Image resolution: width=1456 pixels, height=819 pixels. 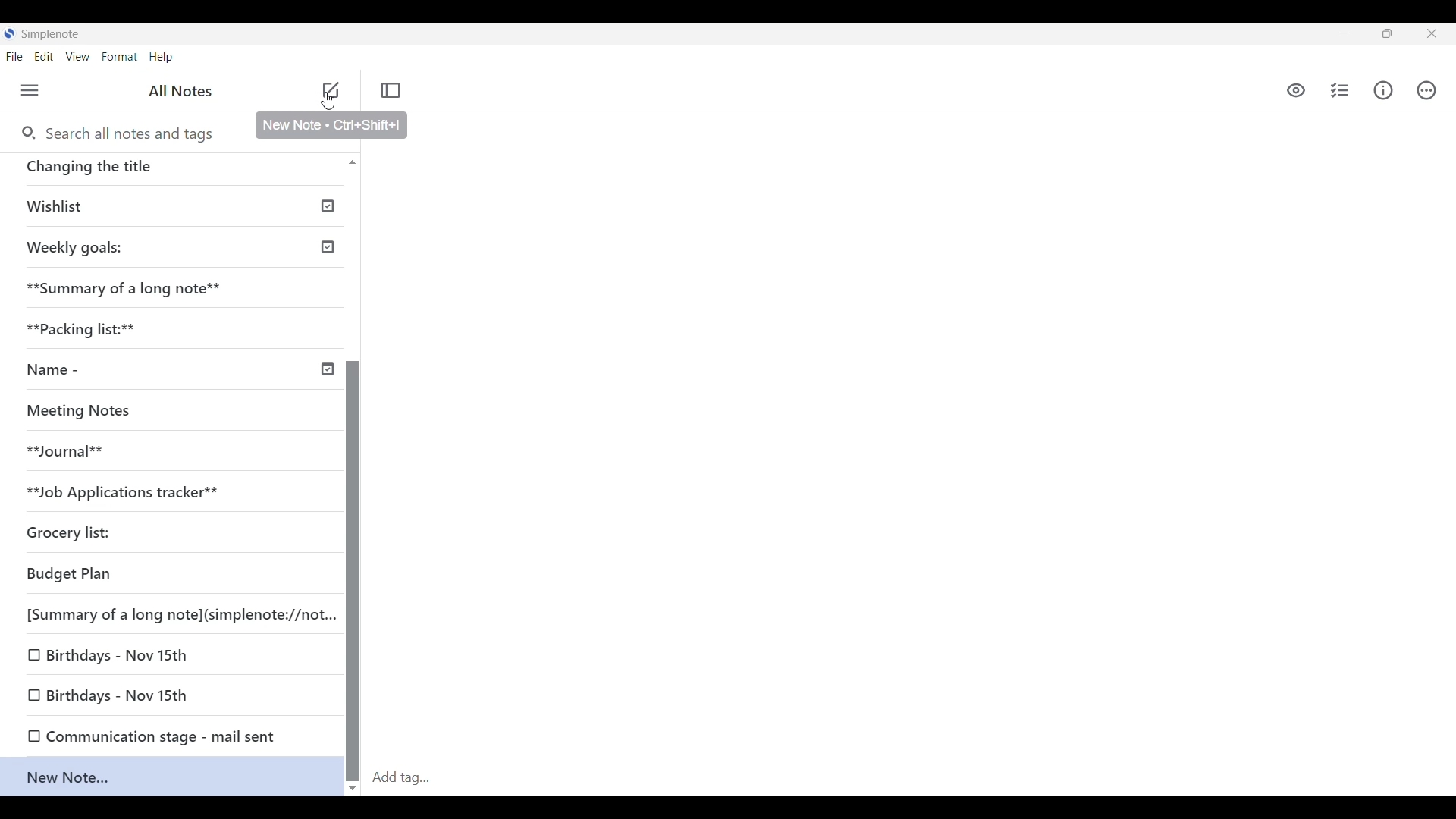 What do you see at coordinates (78, 409) in the screenshot?
I see `Meeting Notes` at bounding box center [78, 409].